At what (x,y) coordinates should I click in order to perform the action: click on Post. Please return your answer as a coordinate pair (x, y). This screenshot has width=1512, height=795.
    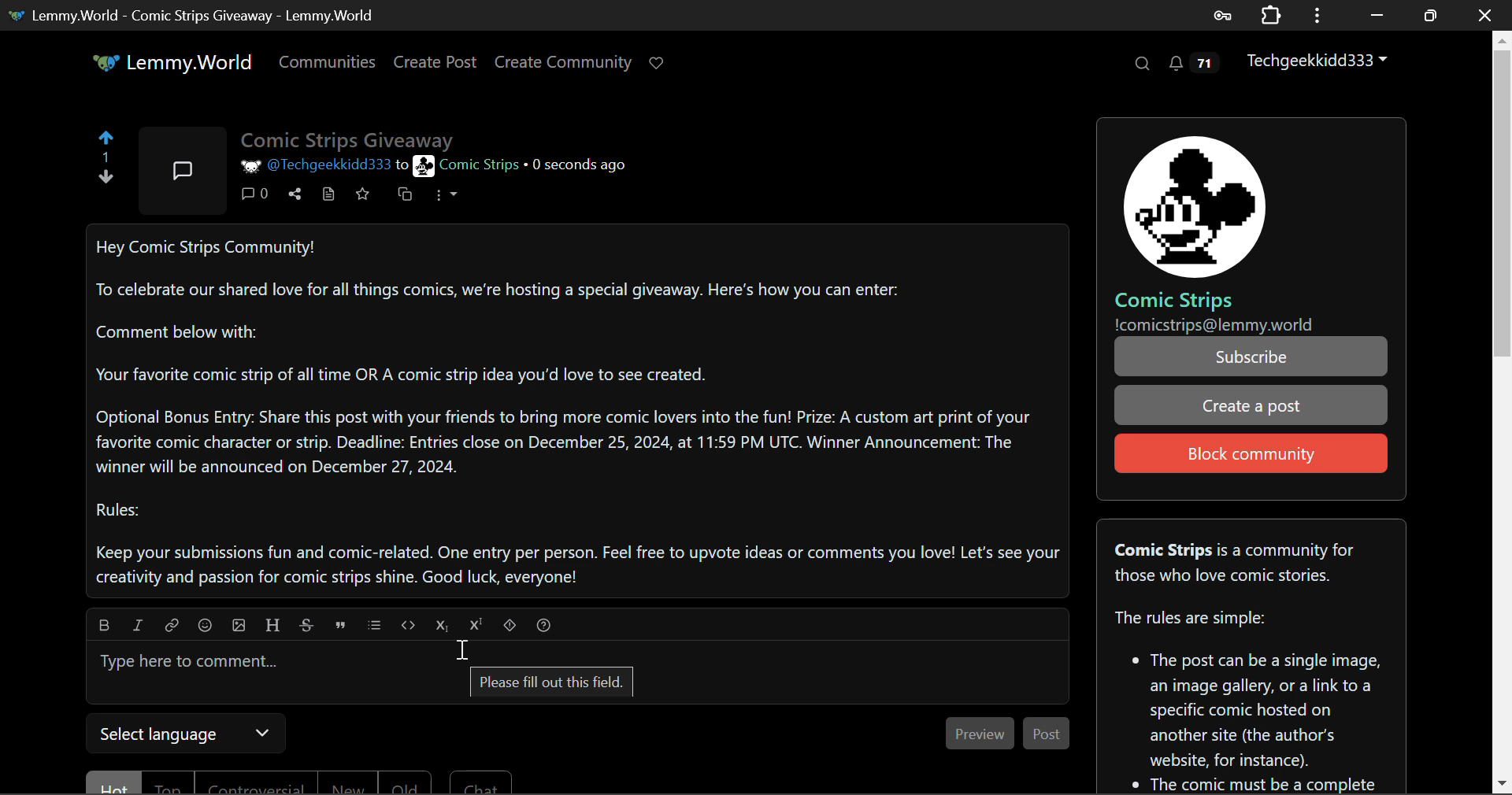
    Looking at the image, I should click on (1046, 734).